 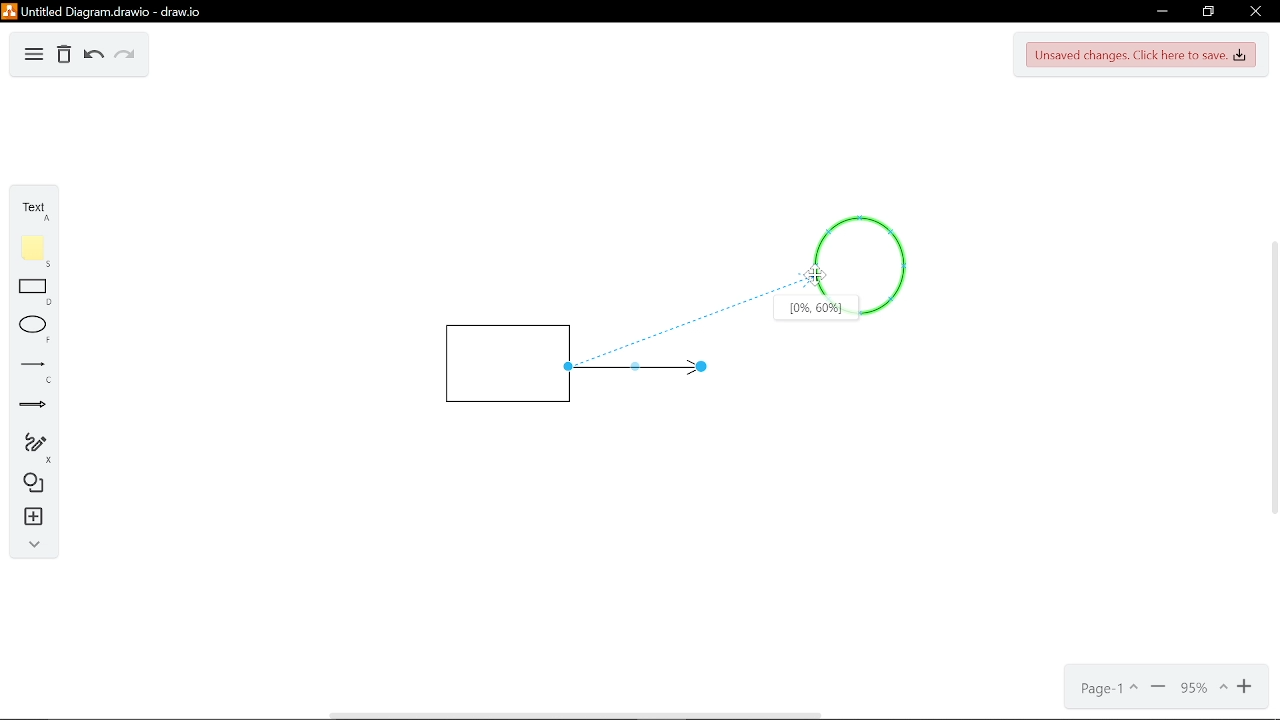 What do you see at coordinates (637, 367) in the screenshot?
I see `Line` at bounding box center [637, 367].